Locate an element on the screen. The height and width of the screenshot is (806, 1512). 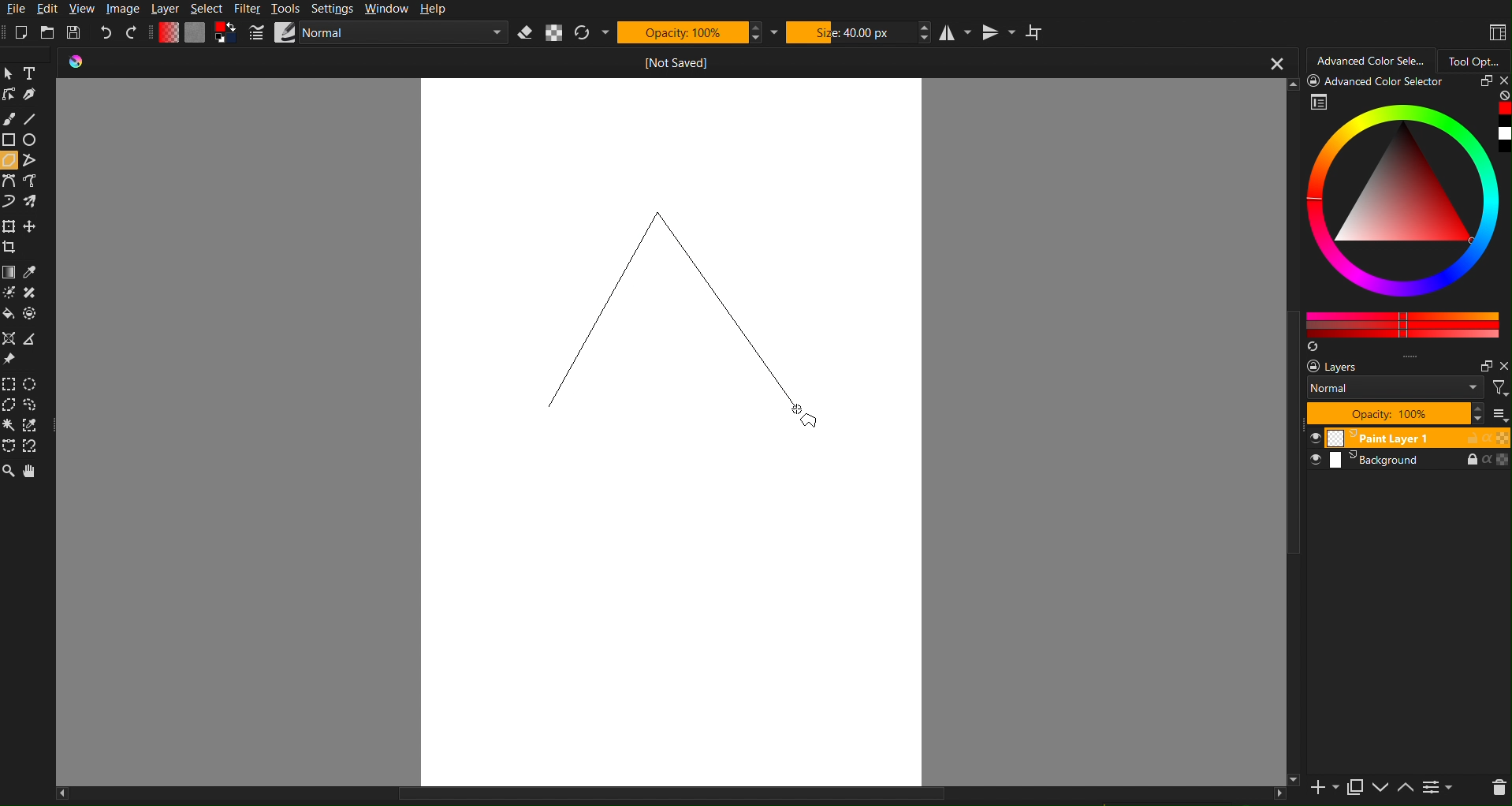
paint layer 1 is located at coordinates (1407, 439).